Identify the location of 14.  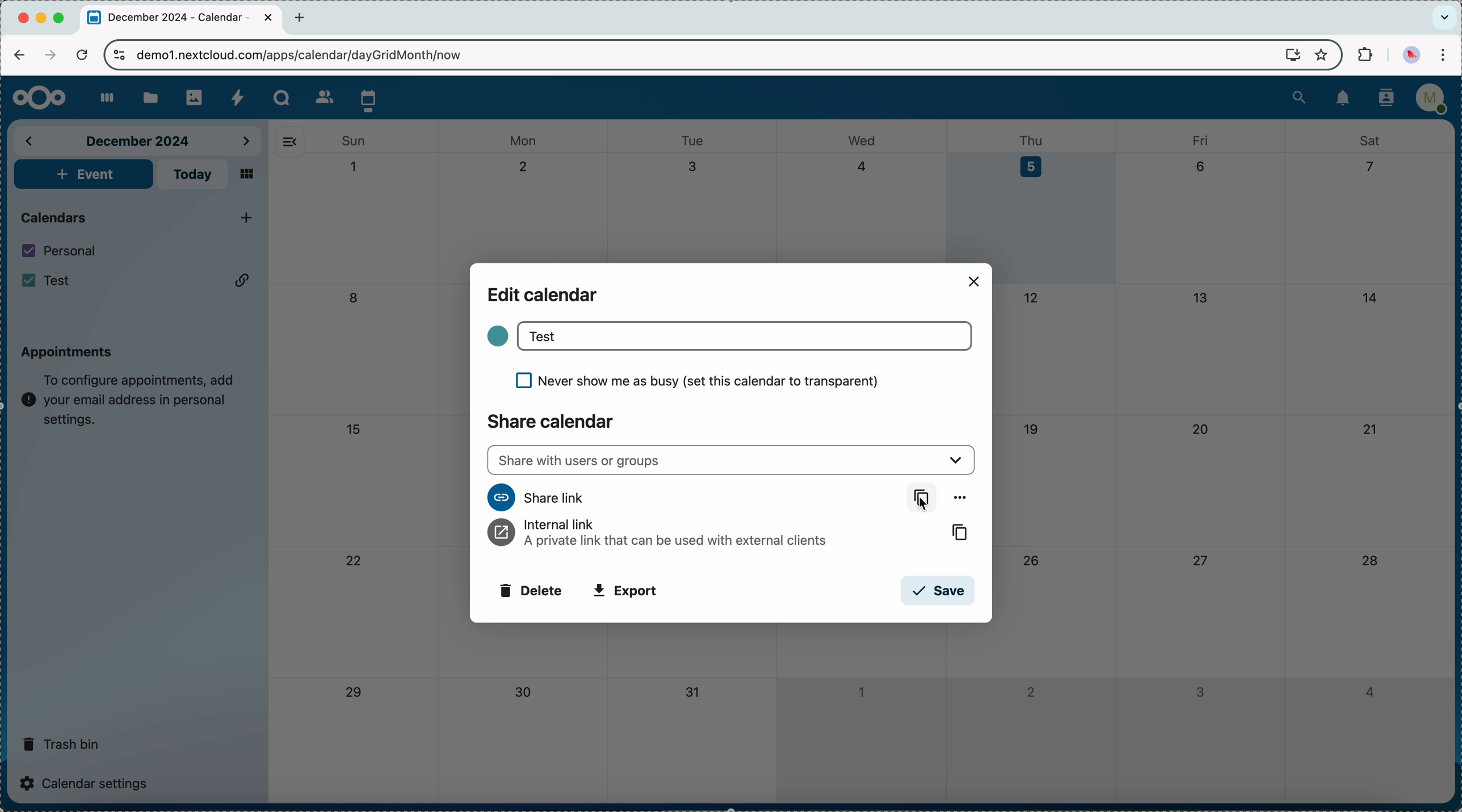
(1374, 296).